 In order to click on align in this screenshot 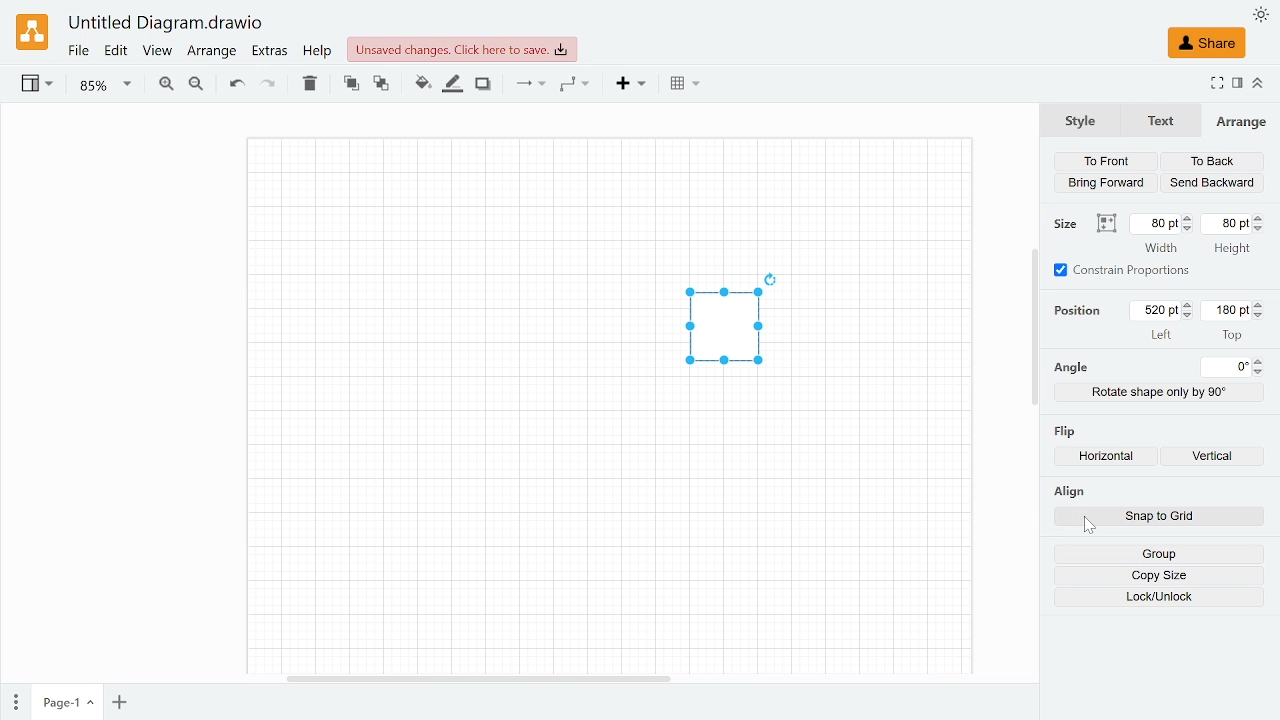, I will do `click(1068, 491)`.